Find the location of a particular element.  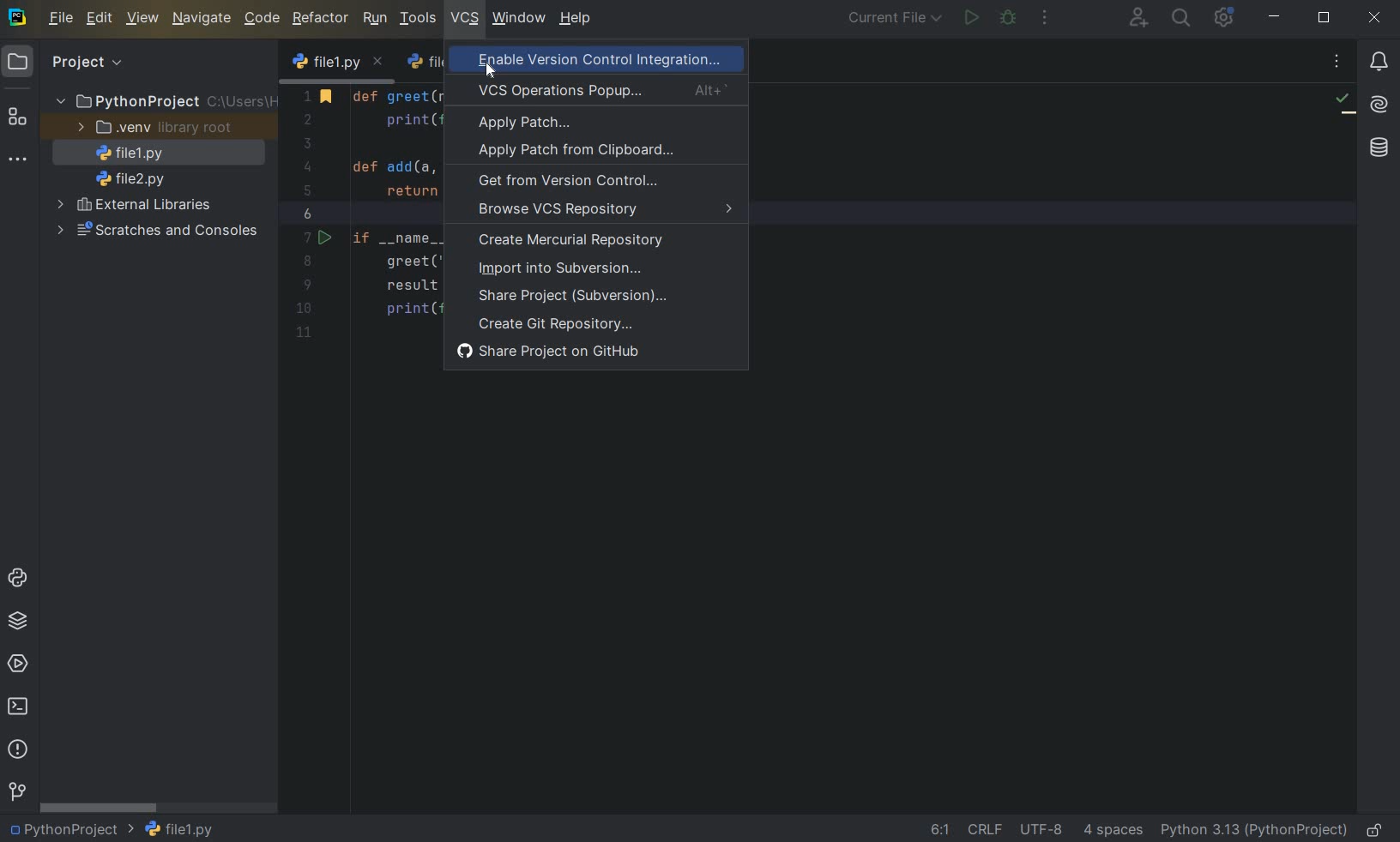

VCS Operations Popup is located at coordinates (601, 89).